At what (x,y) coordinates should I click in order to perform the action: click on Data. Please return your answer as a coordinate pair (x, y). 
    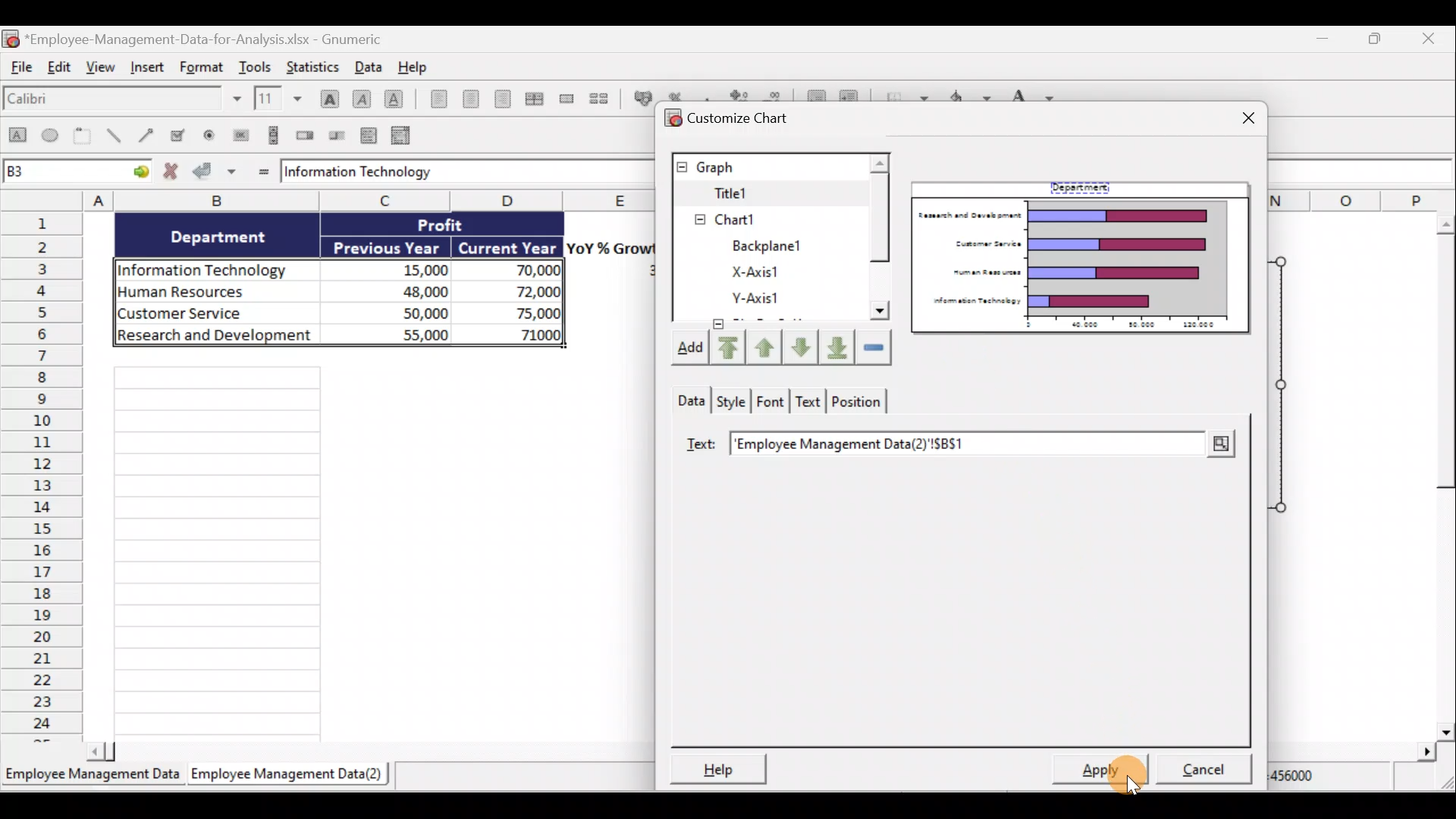
    Looking at the image, I should click on (688, 399).